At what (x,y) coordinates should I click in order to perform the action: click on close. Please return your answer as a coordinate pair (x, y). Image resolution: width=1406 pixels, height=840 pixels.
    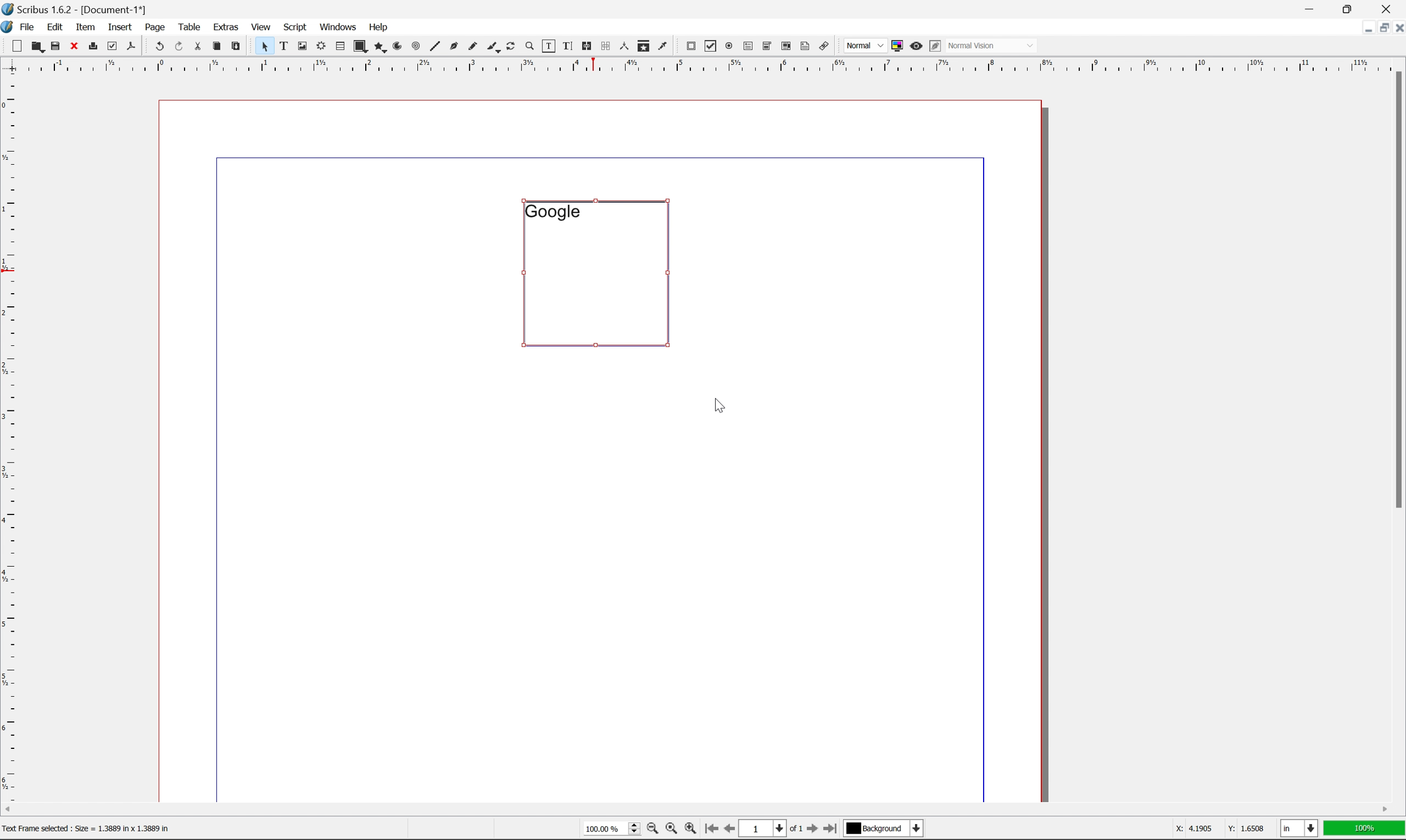
    Looking at the image, I should click on (1397, 27).